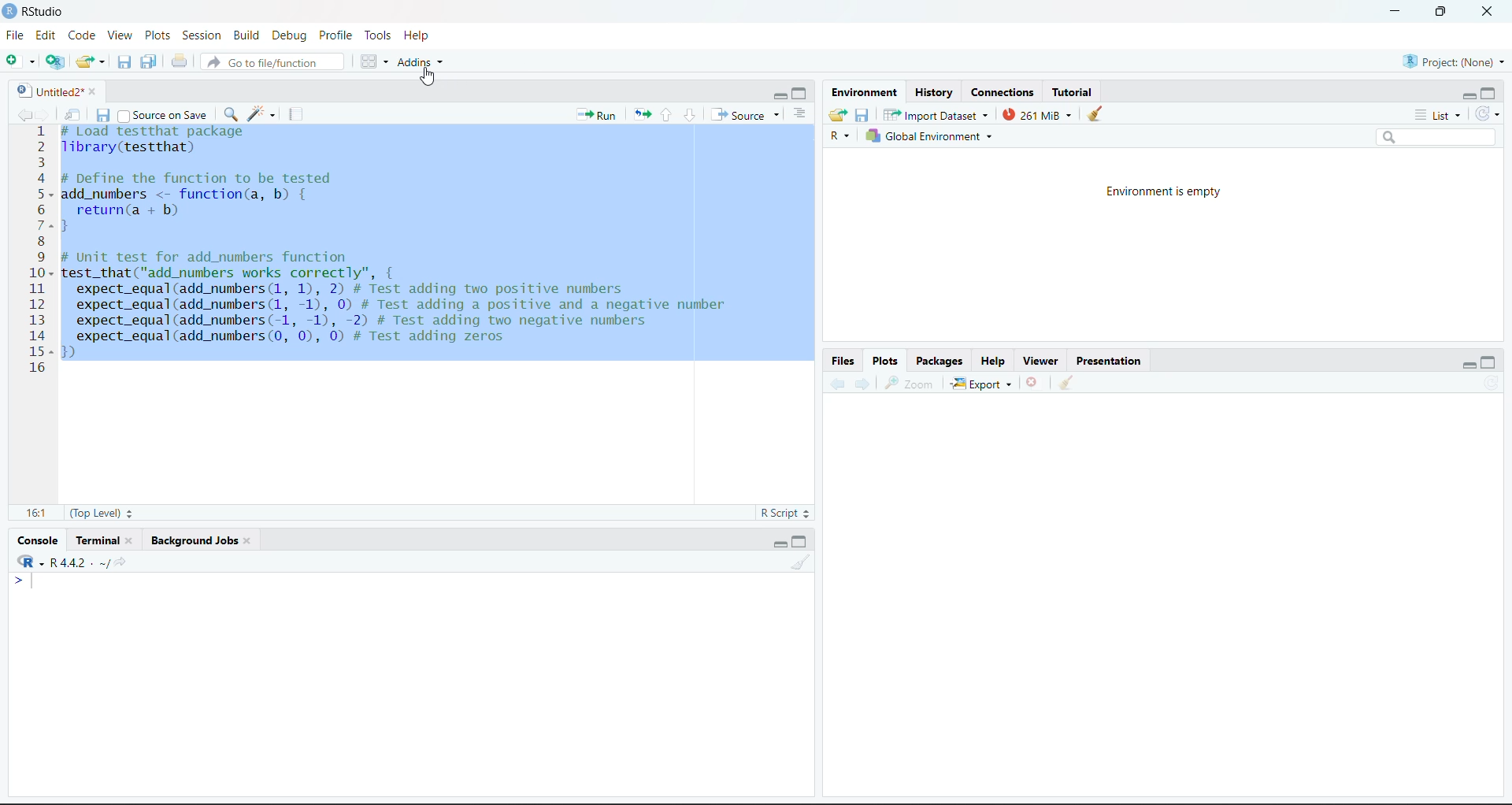 This screenshot has width=1512, height=805. Describe the element at coordinates (90, 514) in the screenshot. I see `(Top Level)` at that location.